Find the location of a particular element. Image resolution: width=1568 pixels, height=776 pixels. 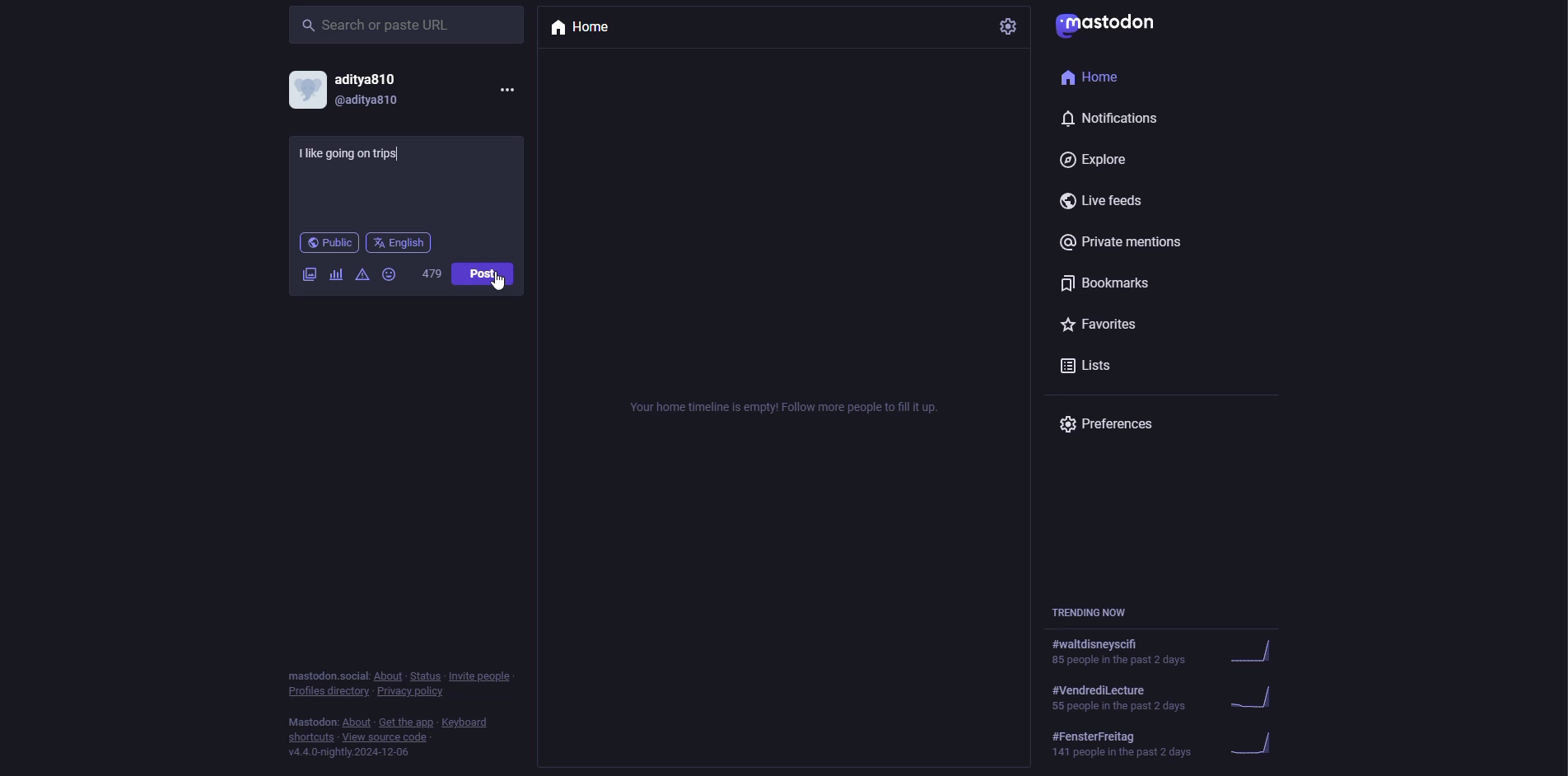

notifications is located at coordinates (1119, 119).